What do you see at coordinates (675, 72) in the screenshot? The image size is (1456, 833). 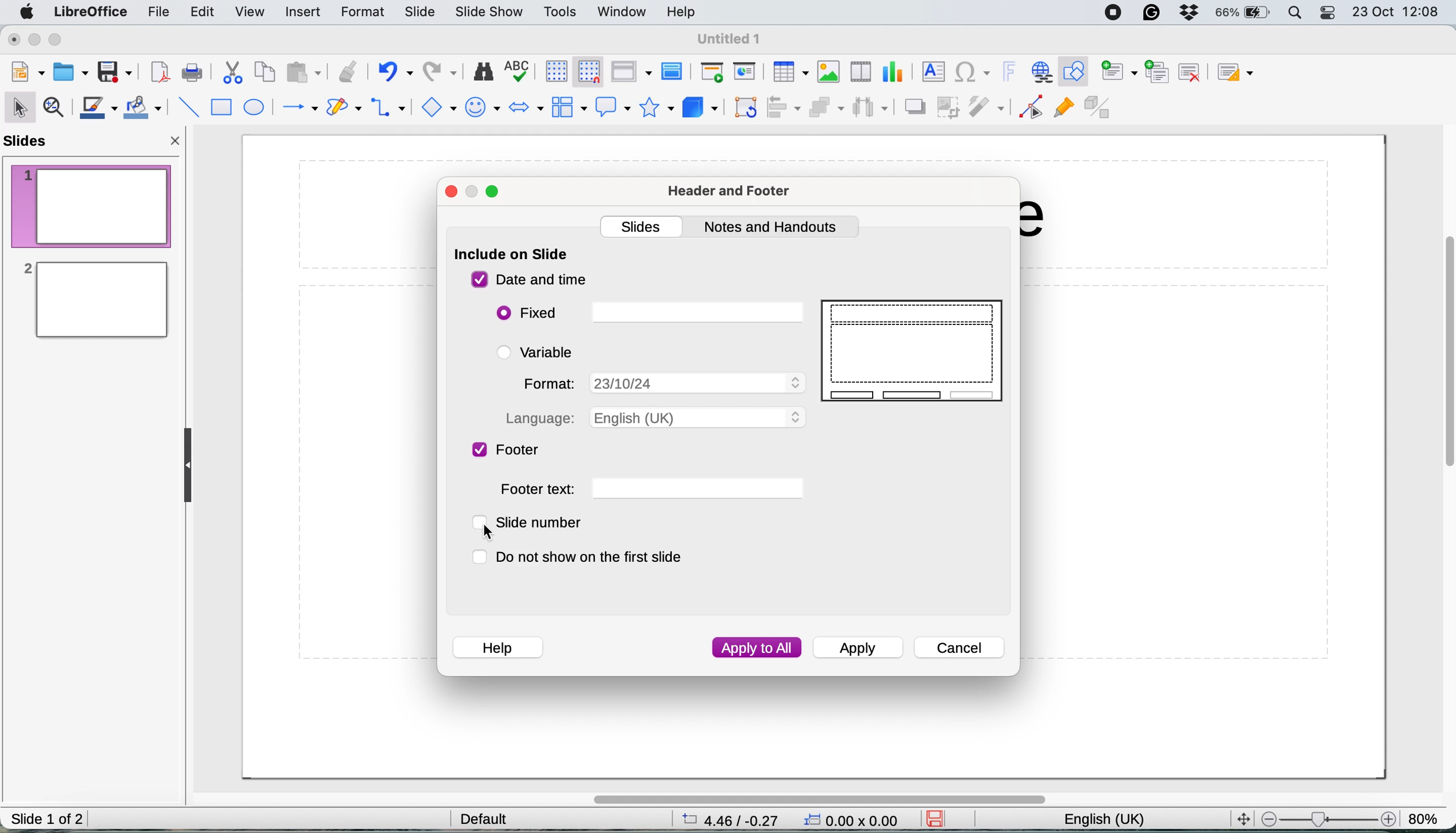 I see `master slide` at bounding box center [675, 72].